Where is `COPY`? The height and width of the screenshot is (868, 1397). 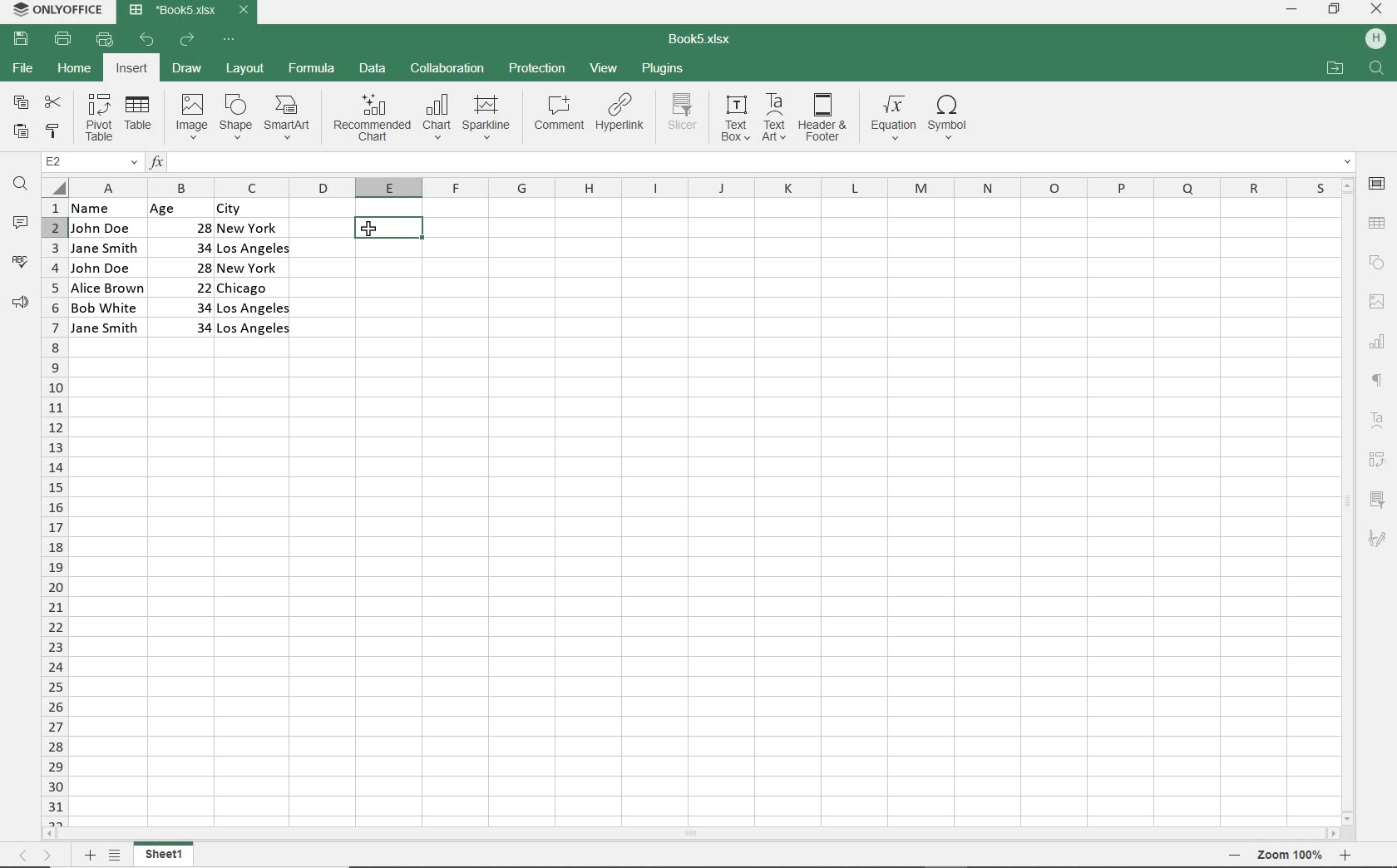
COPY is located at coordinates (20, 104).